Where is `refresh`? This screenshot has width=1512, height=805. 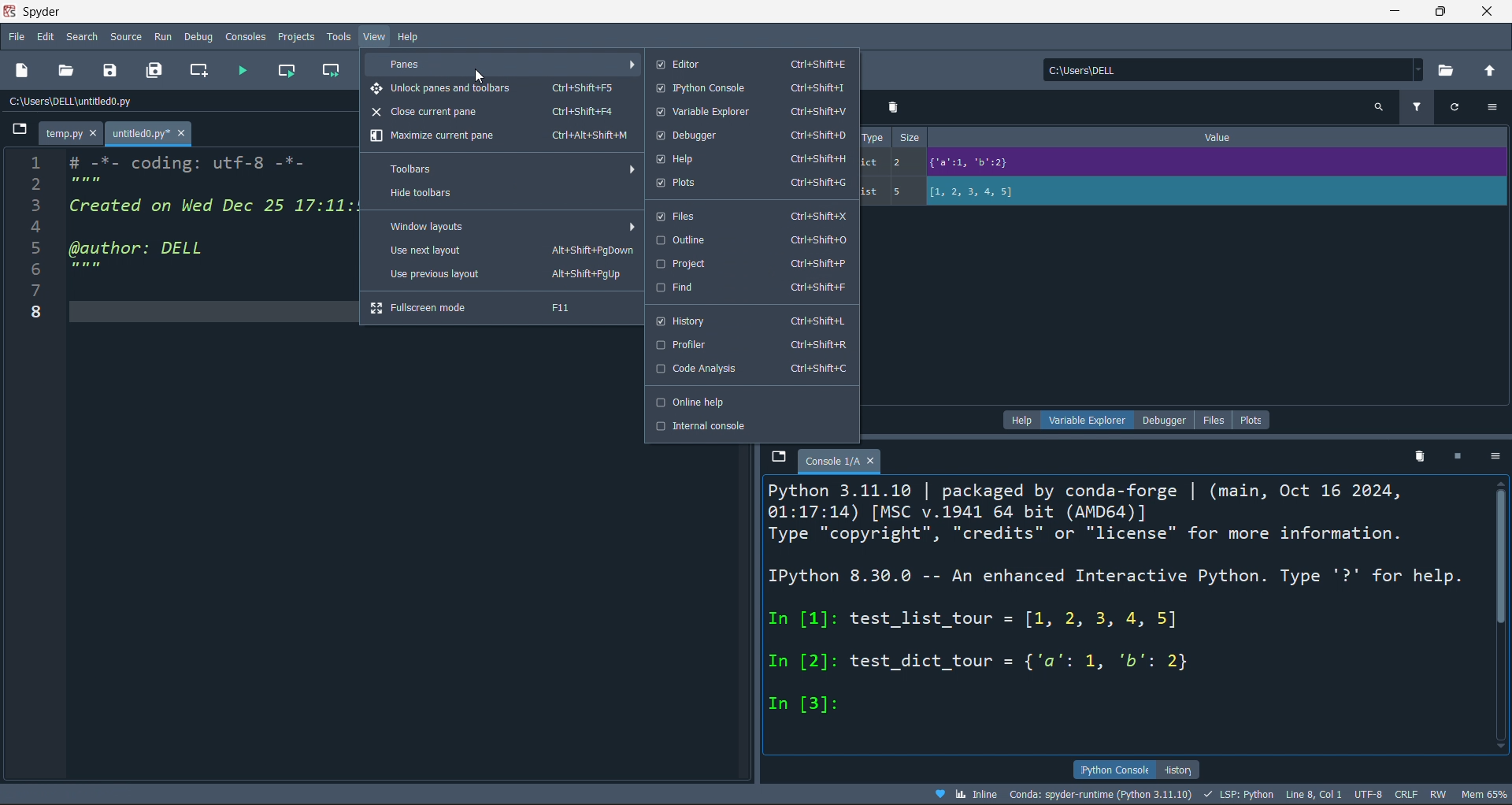 refresh is located at coordinates (1457, 108).